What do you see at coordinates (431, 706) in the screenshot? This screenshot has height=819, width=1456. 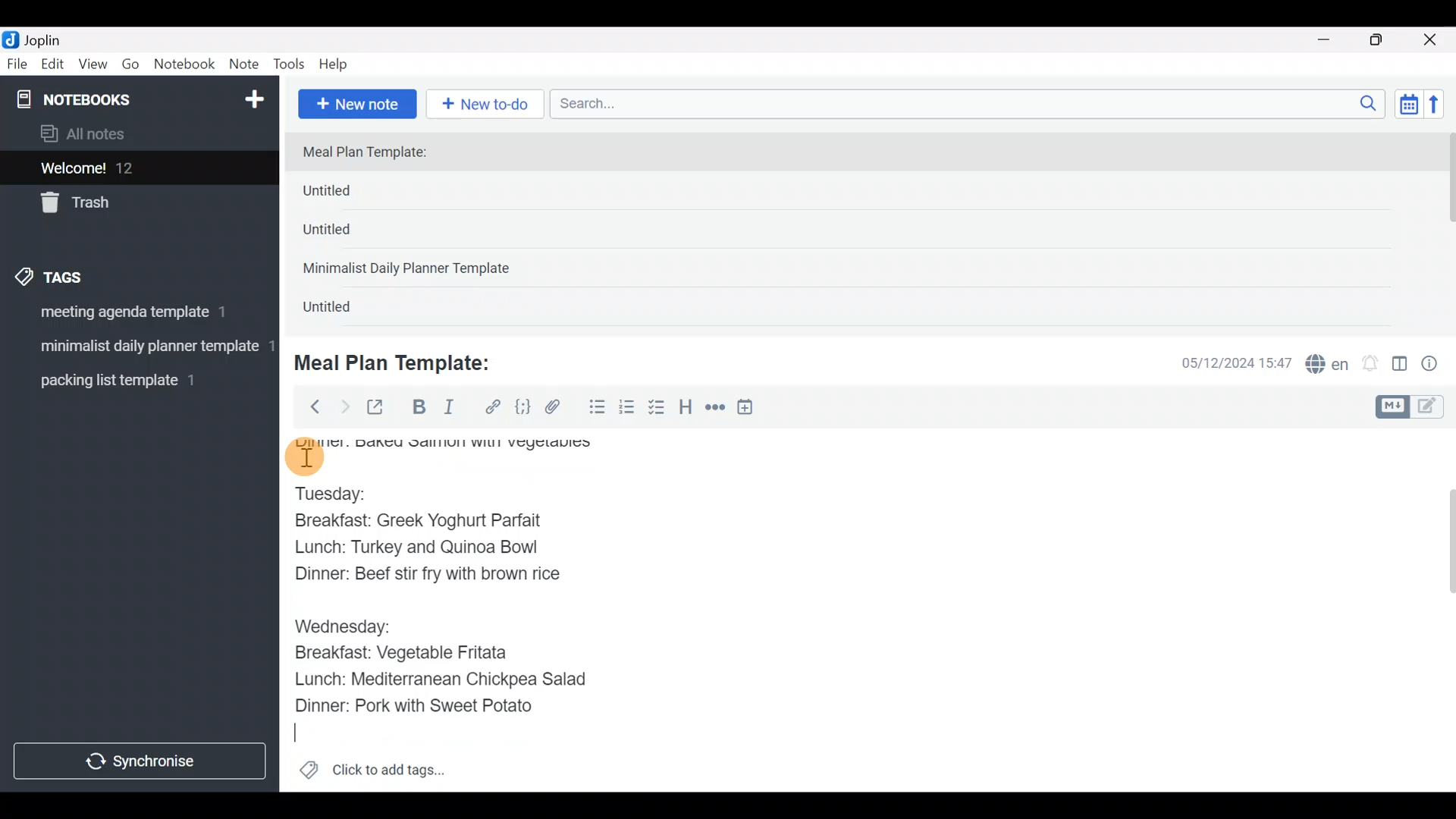 I see `Dinner: Pork with Sweet Potato` at bounding box center [431, 706].